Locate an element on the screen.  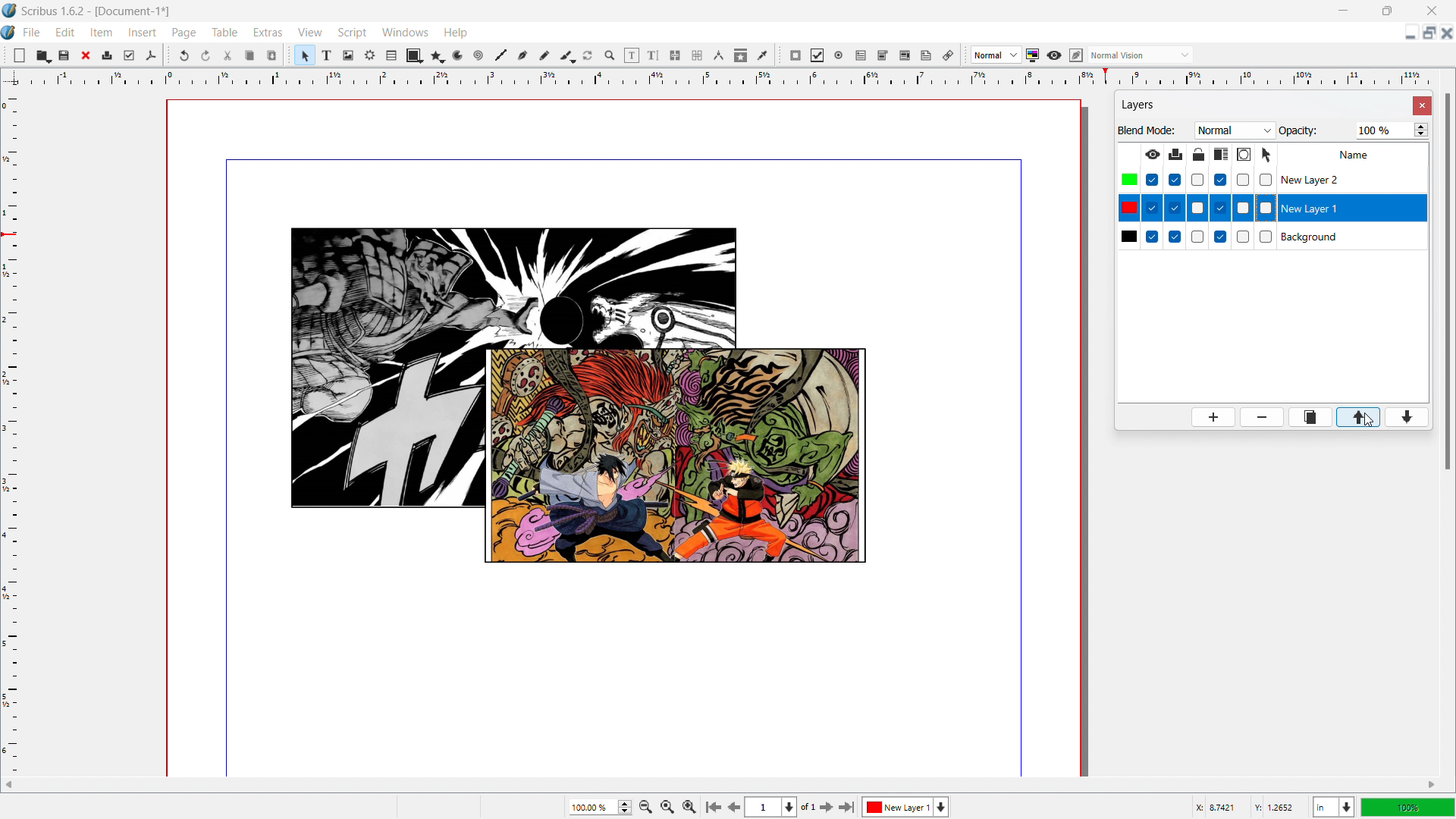
checkboxes is located at coordinates (1210, 208).